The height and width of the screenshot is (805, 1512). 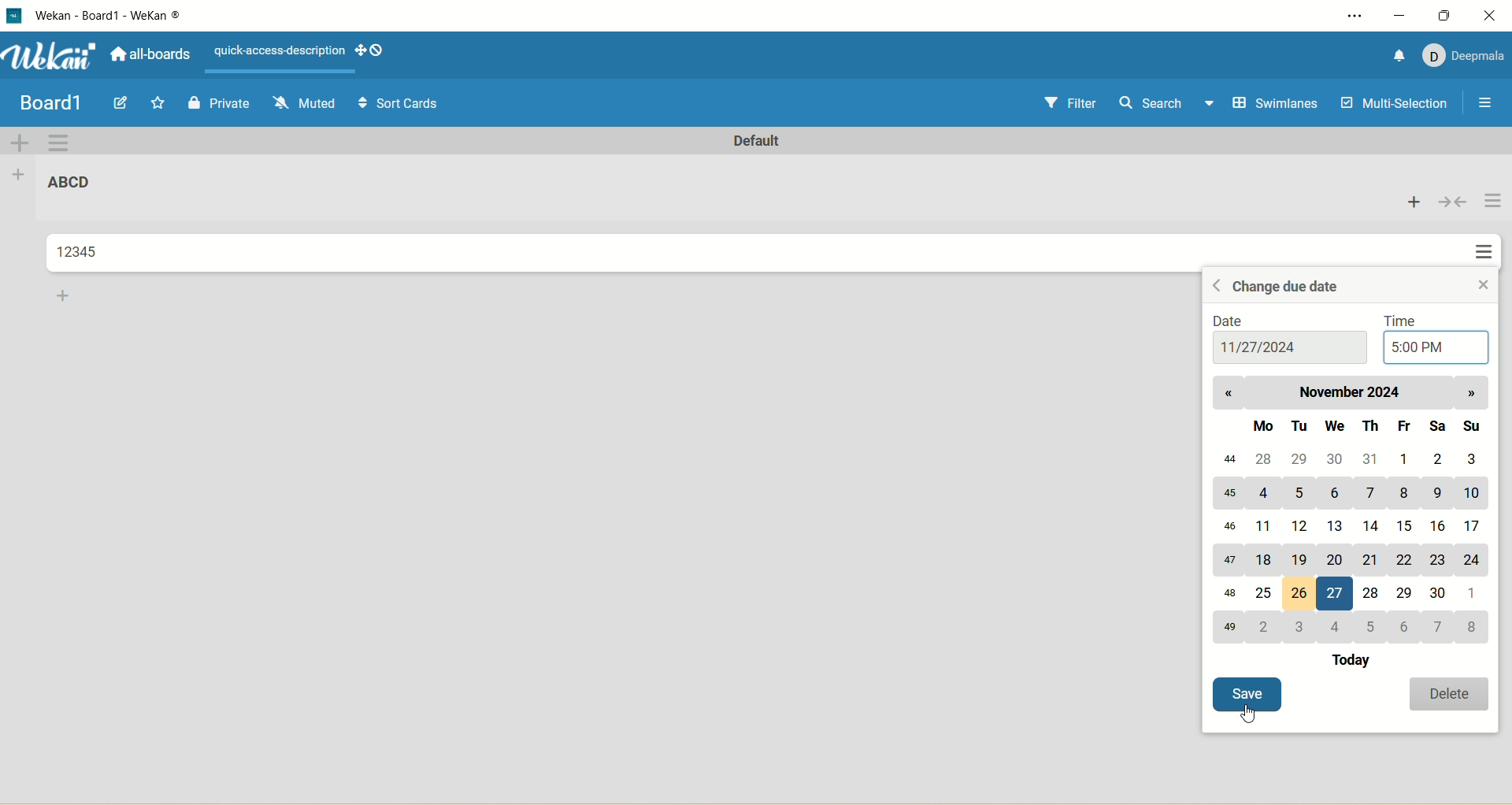 What do you see at coordinates (1354, 393) in the screenshot?
I see `month` at bounding box center [1354, 393].